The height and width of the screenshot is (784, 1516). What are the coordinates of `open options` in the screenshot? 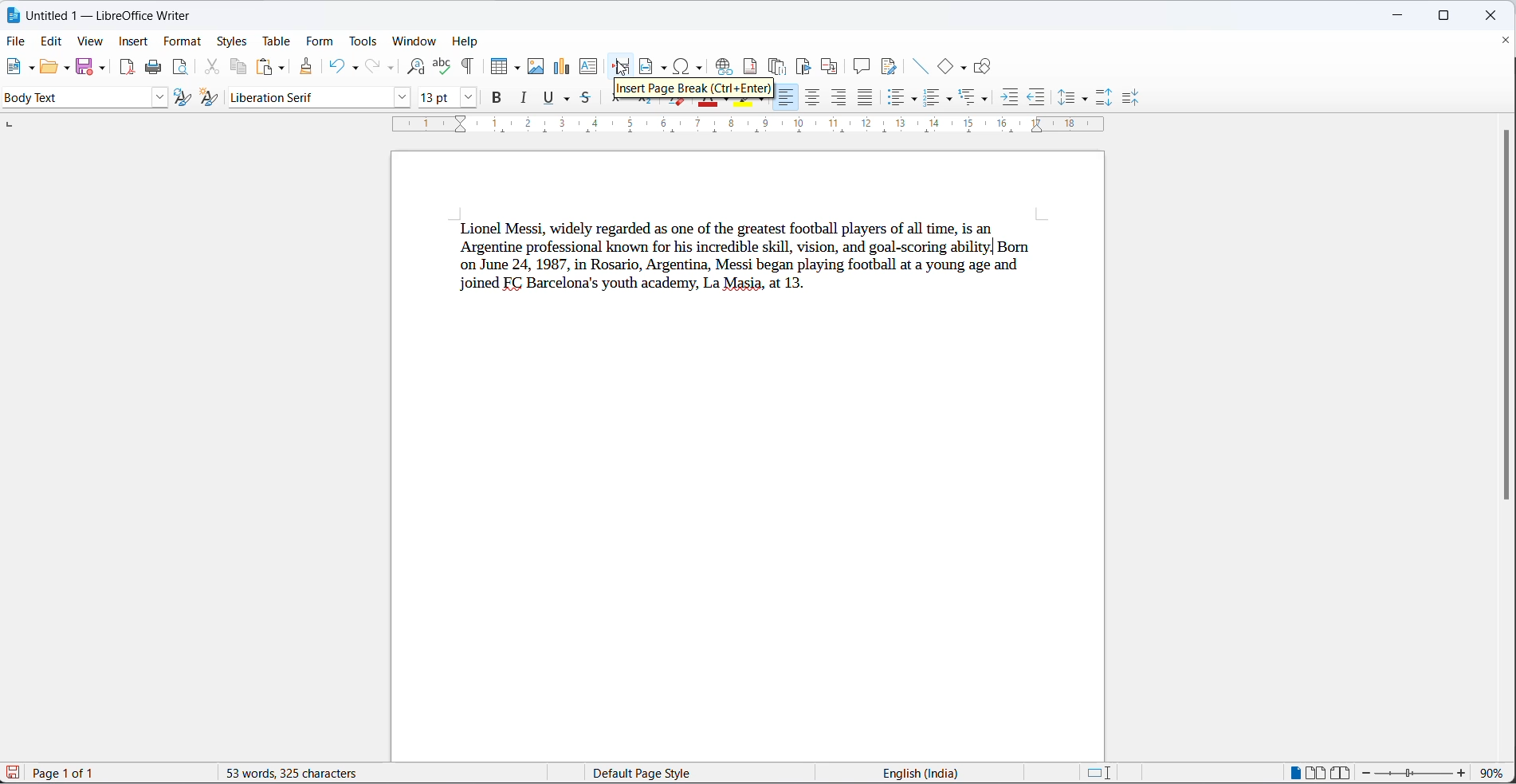 It's located at (65, 69).